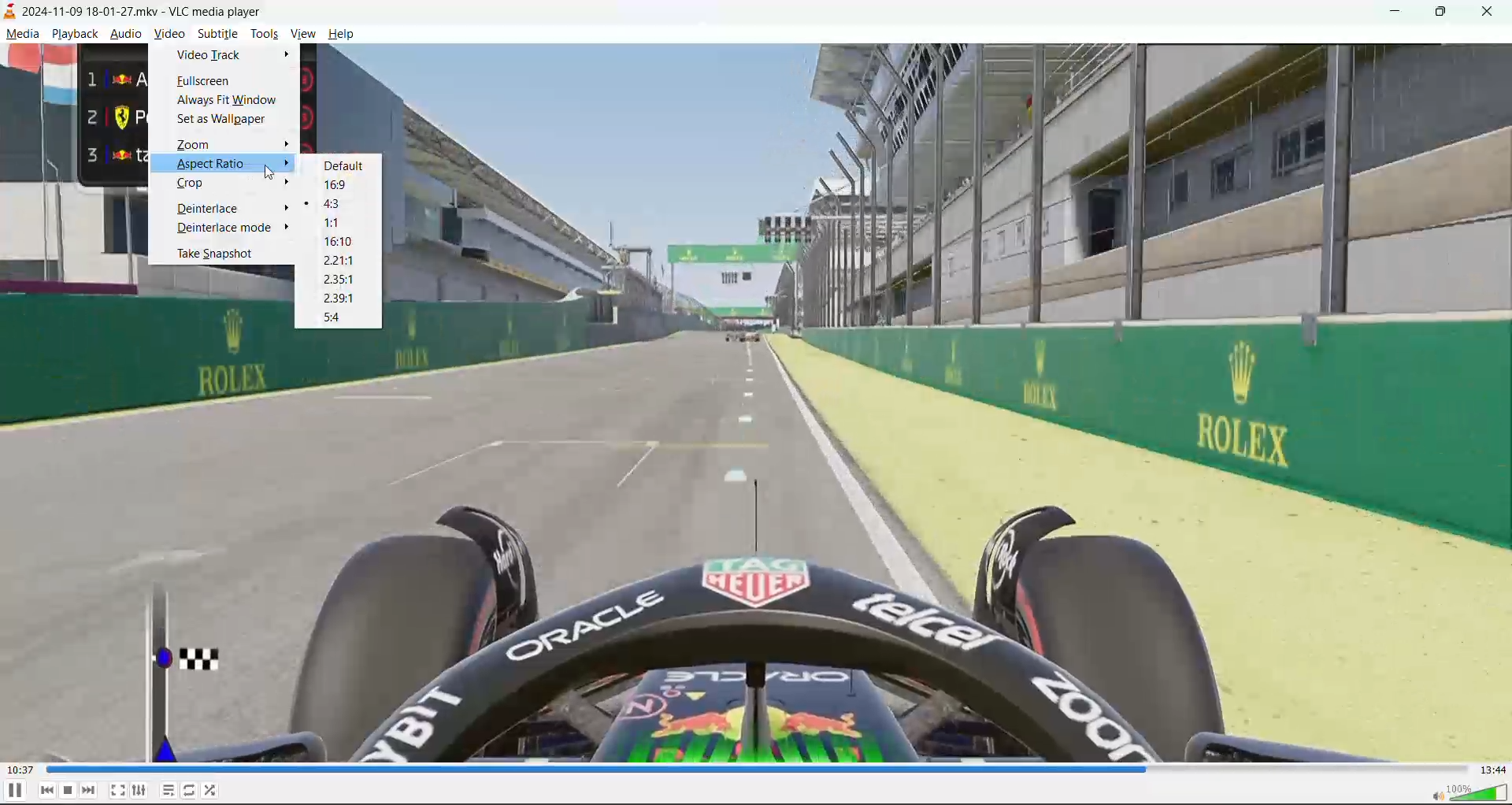  I want to click on video track, so click(210, 54).